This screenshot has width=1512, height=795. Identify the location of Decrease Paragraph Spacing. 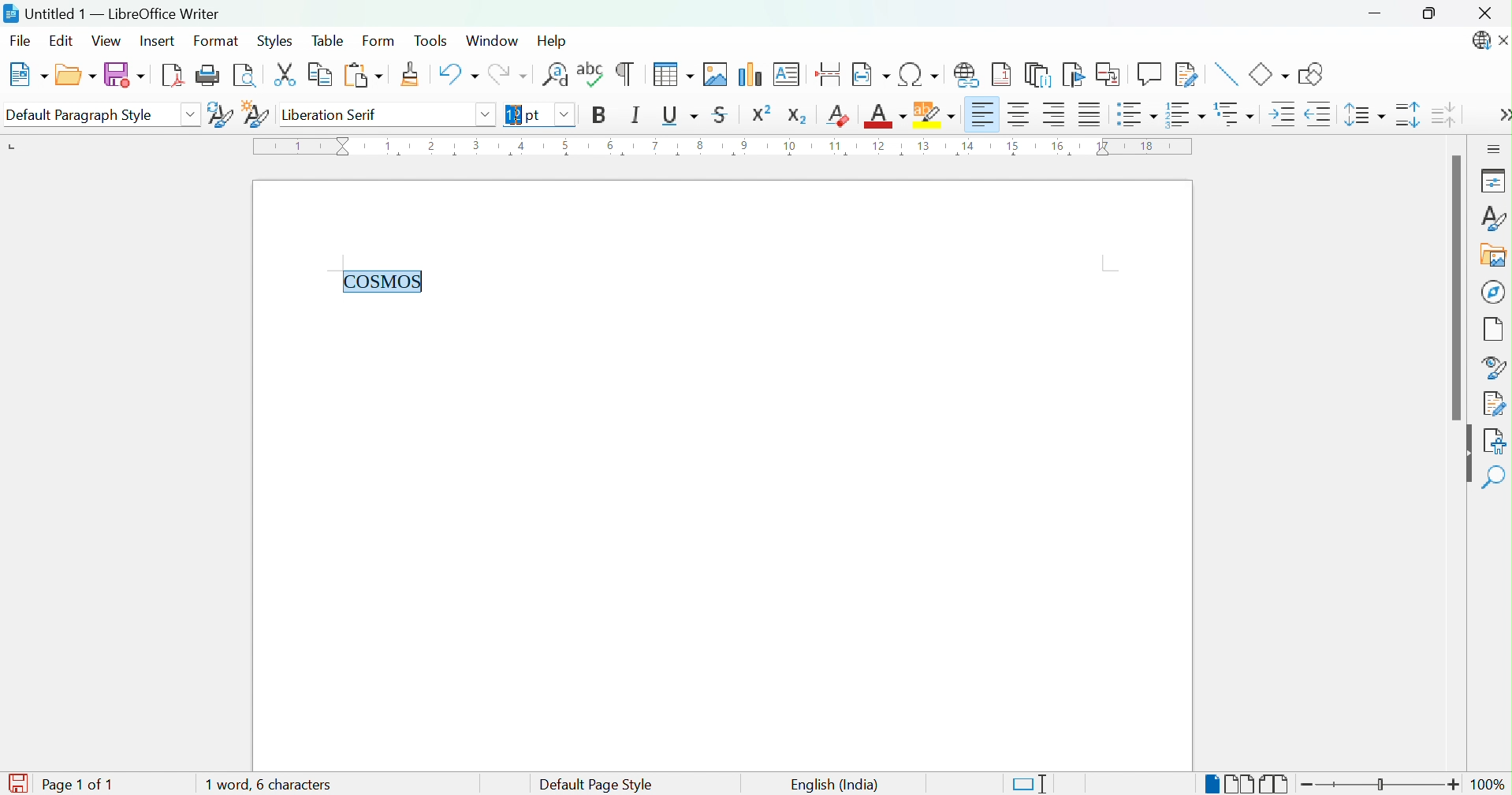
(1446, 114).